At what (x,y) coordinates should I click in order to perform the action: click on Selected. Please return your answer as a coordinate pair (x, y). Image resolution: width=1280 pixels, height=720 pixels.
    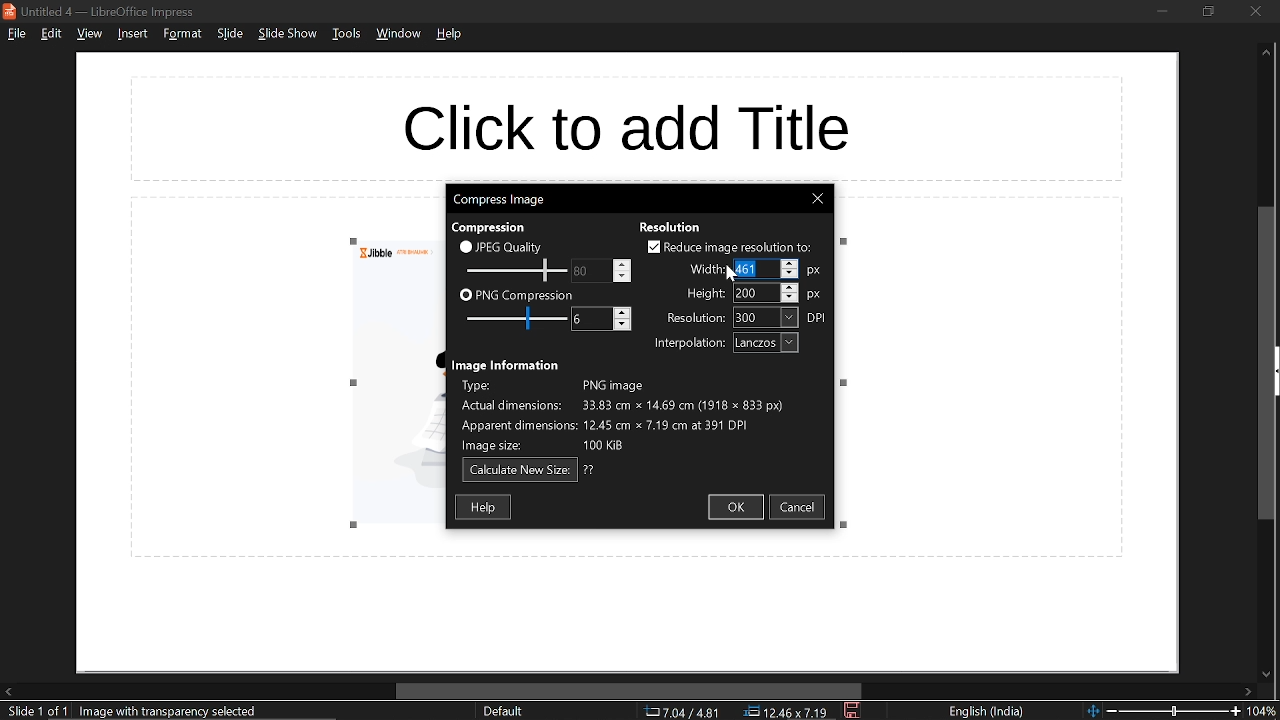
    Looking at the image, I should click on (749, 269).